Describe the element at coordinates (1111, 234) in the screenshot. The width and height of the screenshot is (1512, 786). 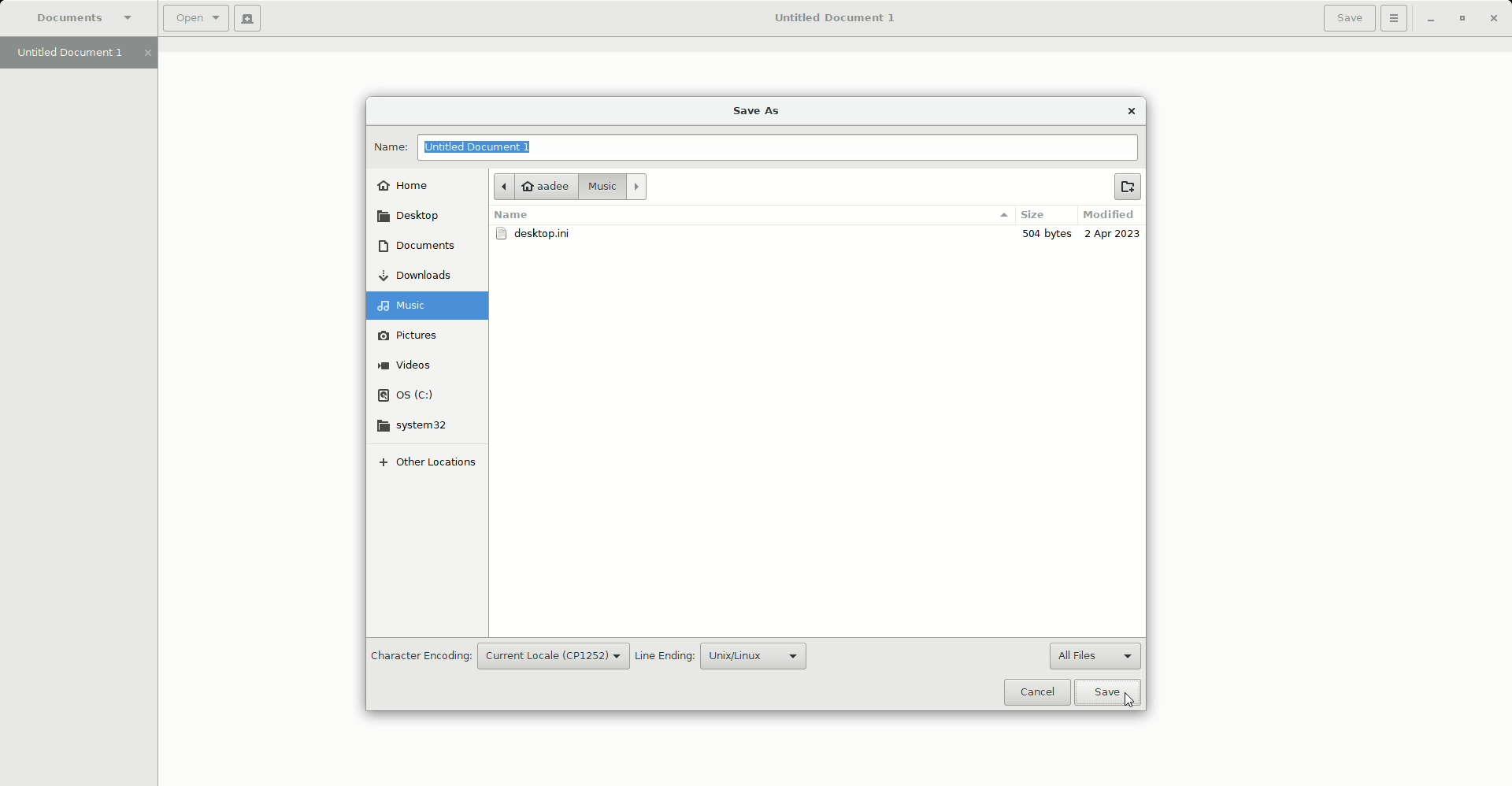
I see `2 Apr 2023` at that location.